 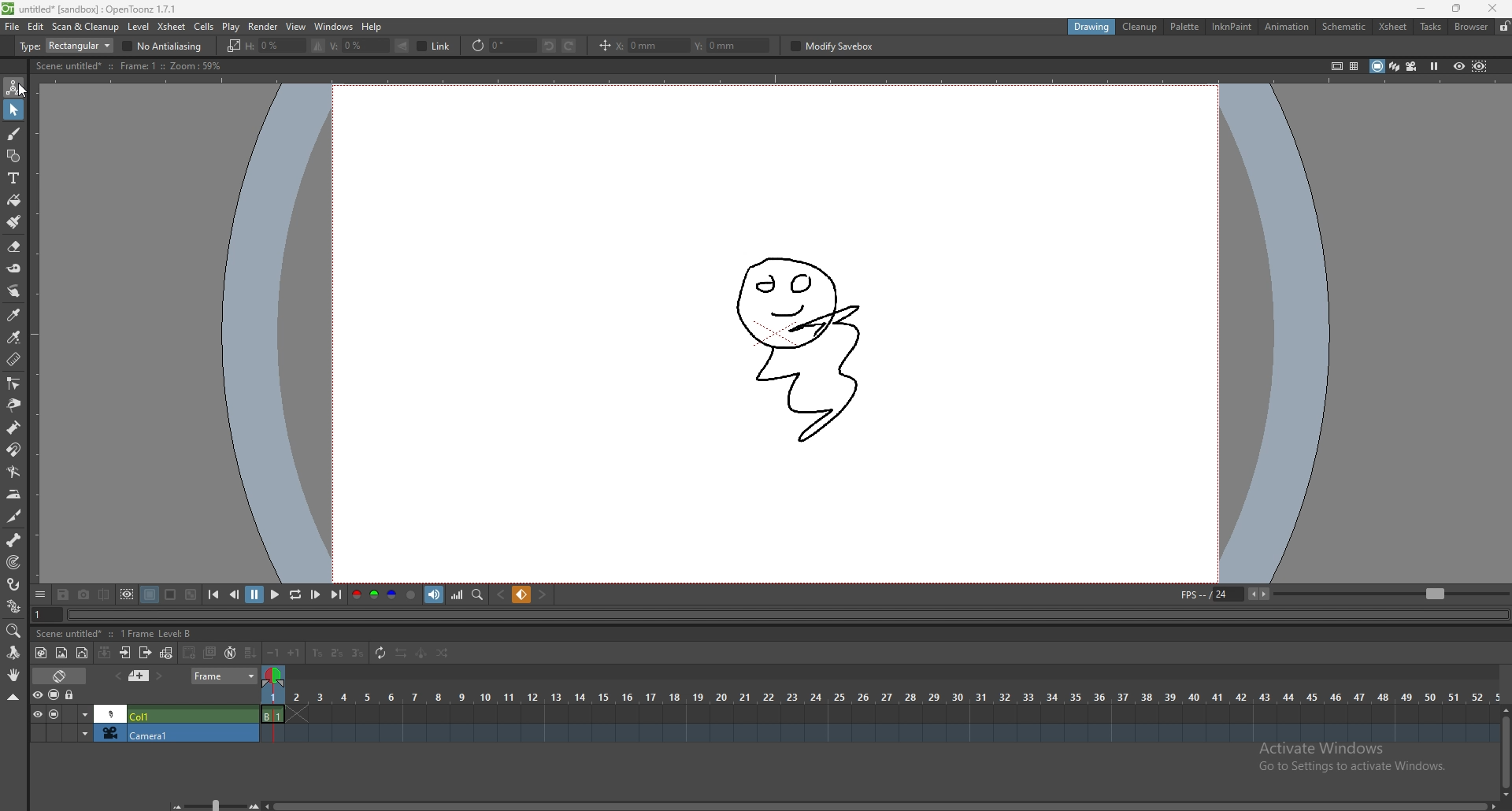 What do you see at coordinates (55, 695) in the screenshot?
I see `camera stand visibility` at bounding box center [55, 695].